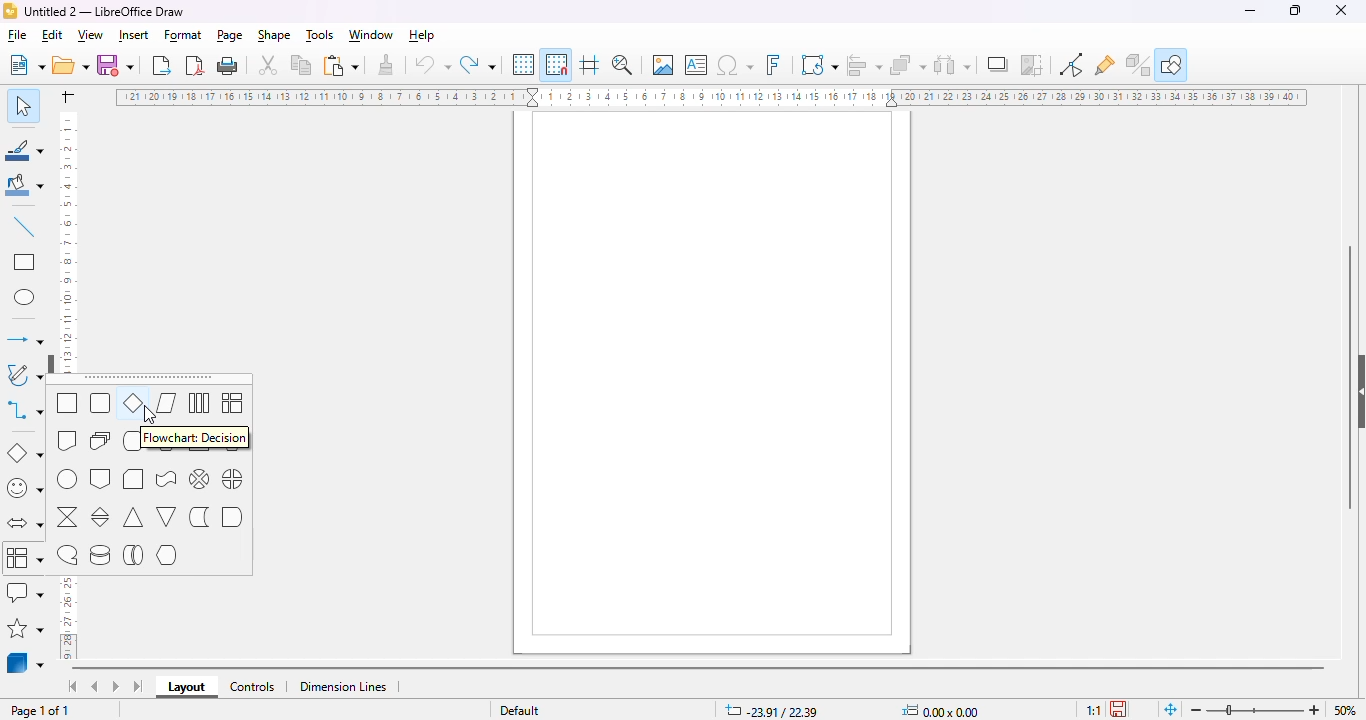 This screenshot has width=1366, height=720. What do you see at coordinates (53, 35) in the screenshot?
I see `edit` at bounding box center [53, 35].